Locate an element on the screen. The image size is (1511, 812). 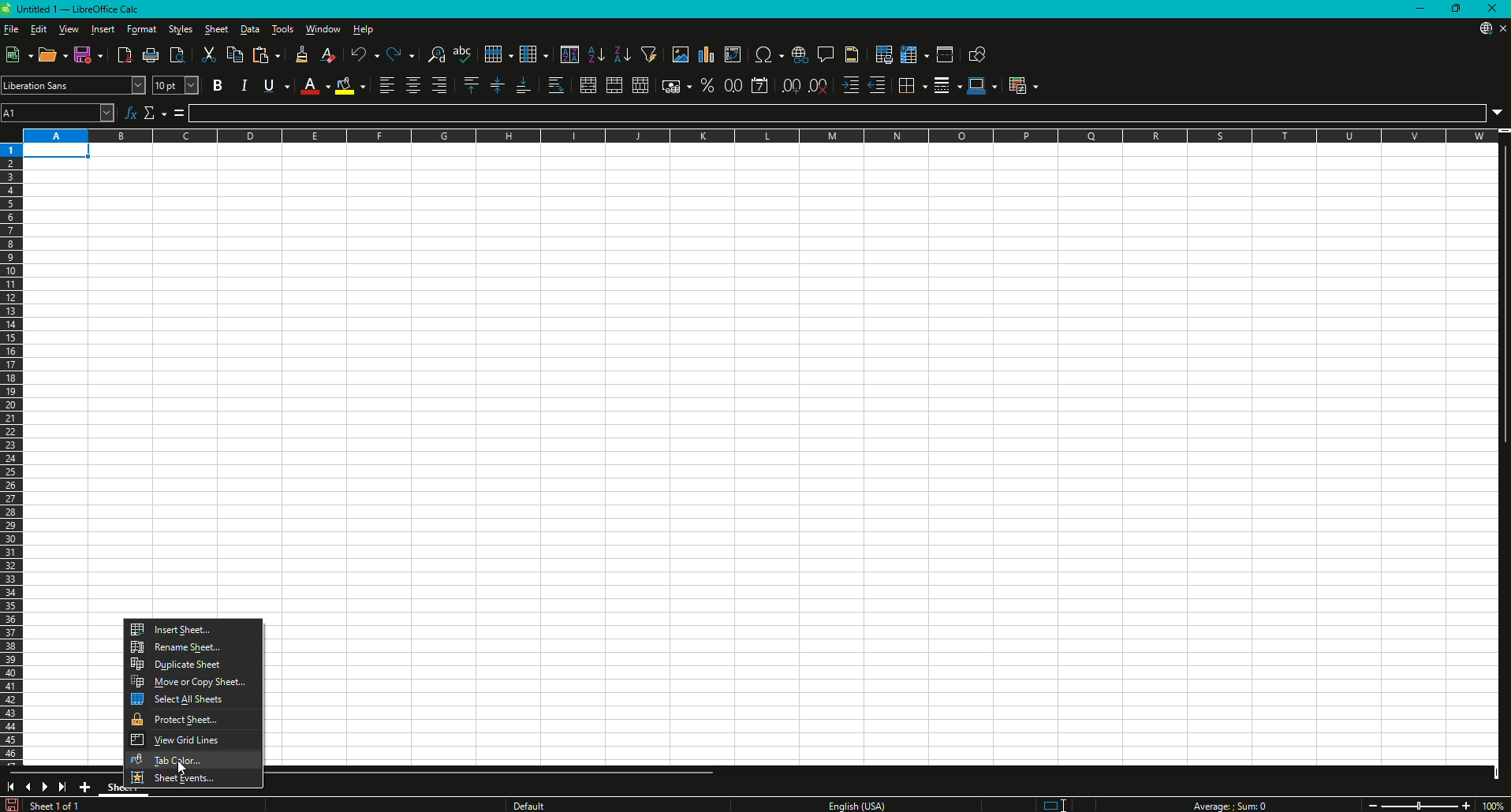
Function Wizard is located at coordinates (130, 113).